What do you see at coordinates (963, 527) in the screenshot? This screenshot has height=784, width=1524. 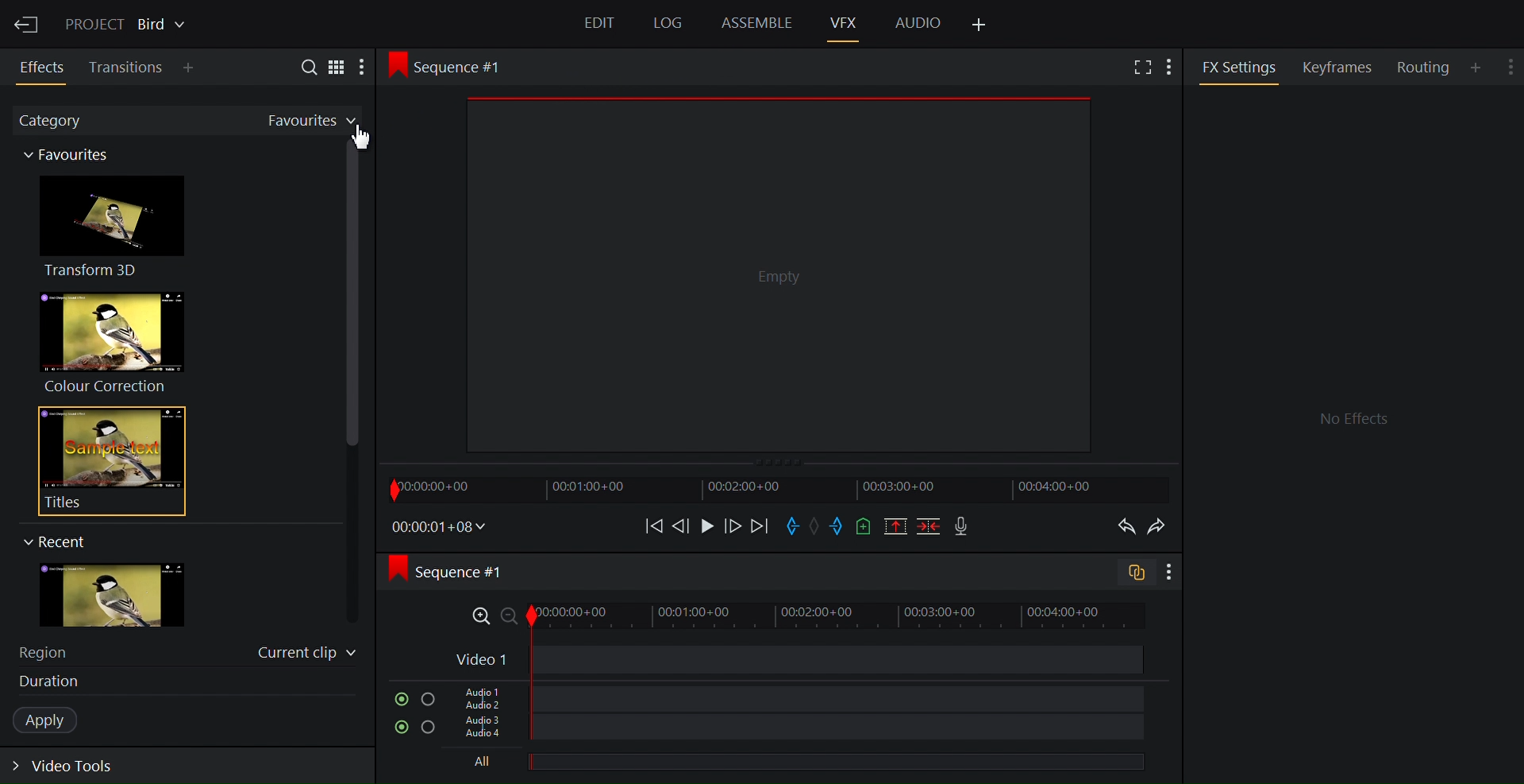 I see `Record voice over` at bounding box center [963, 527].